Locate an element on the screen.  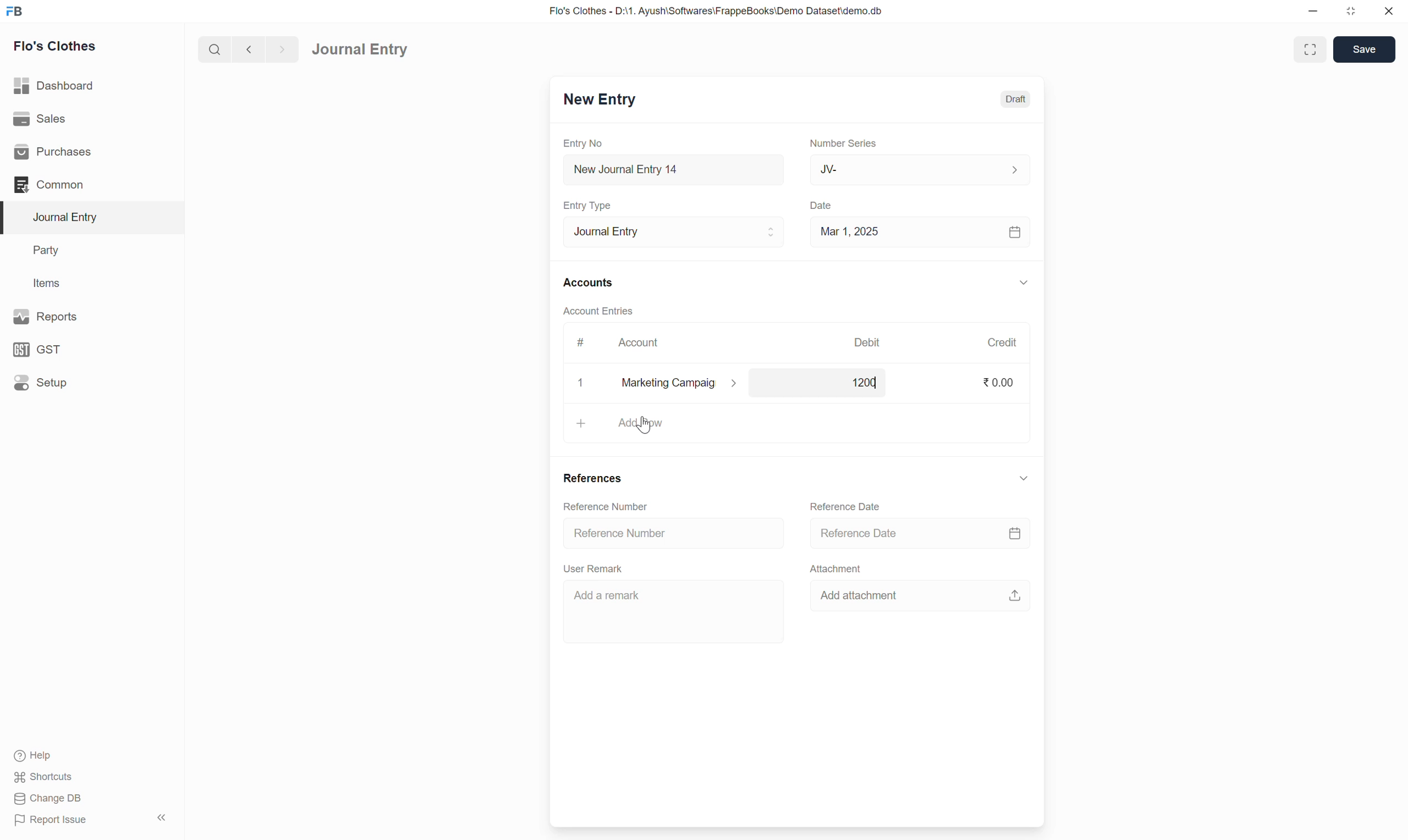
close is located at coordinates (1389, 11).